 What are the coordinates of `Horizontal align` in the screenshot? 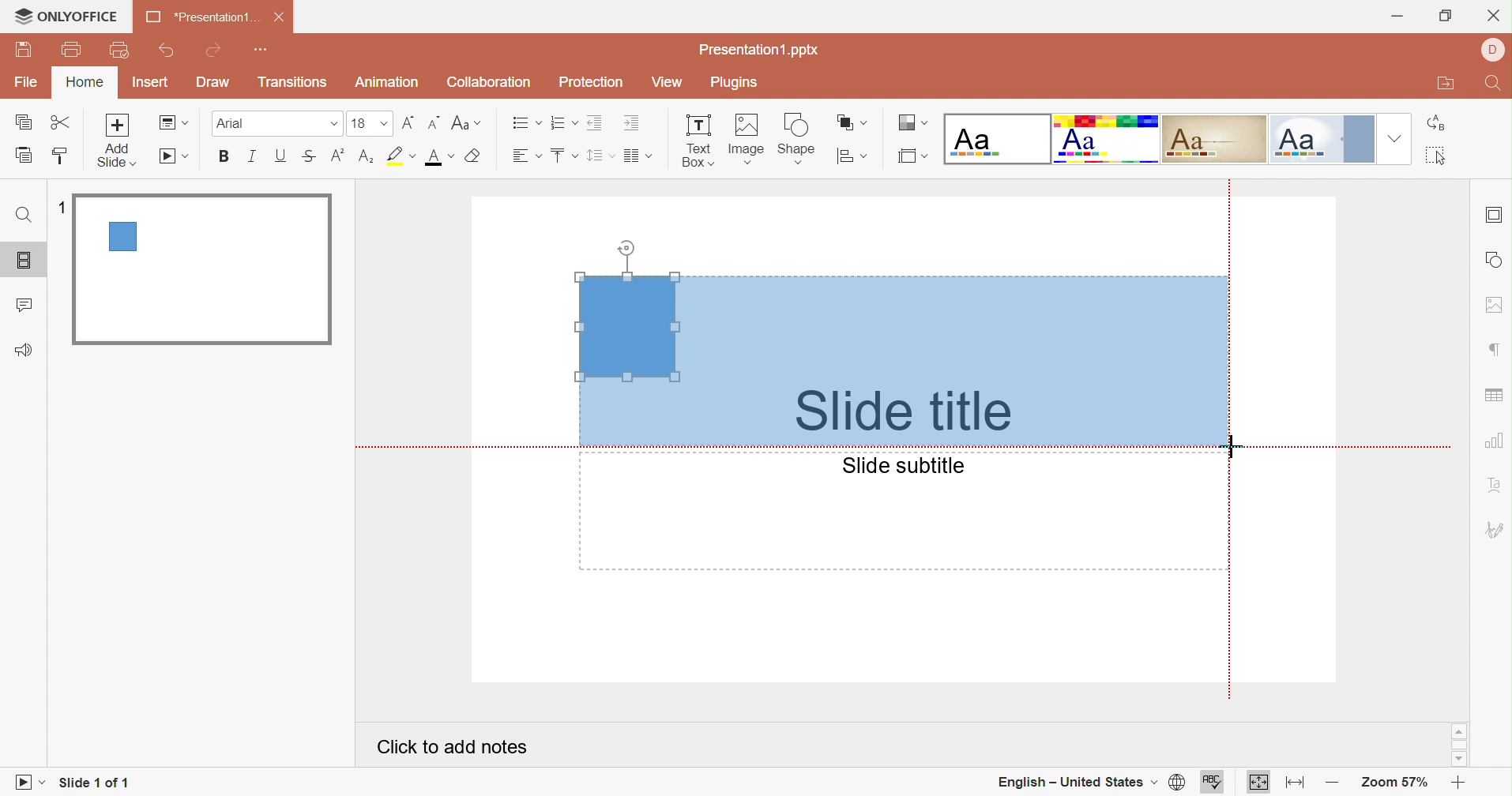 It's located at (528, 156).